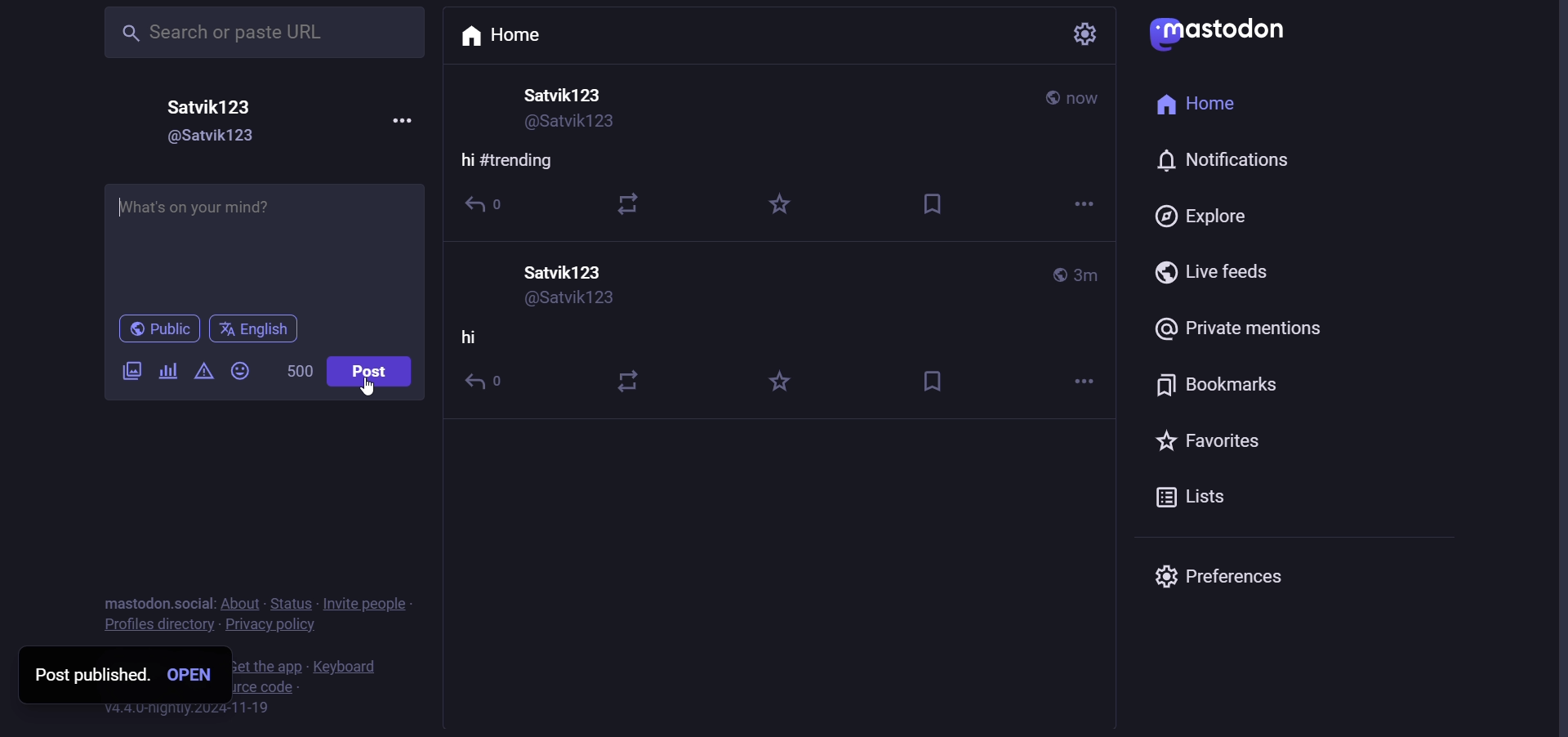 This screenshot has width=1568, height=737. I want to click on more, so click(1083, 208).